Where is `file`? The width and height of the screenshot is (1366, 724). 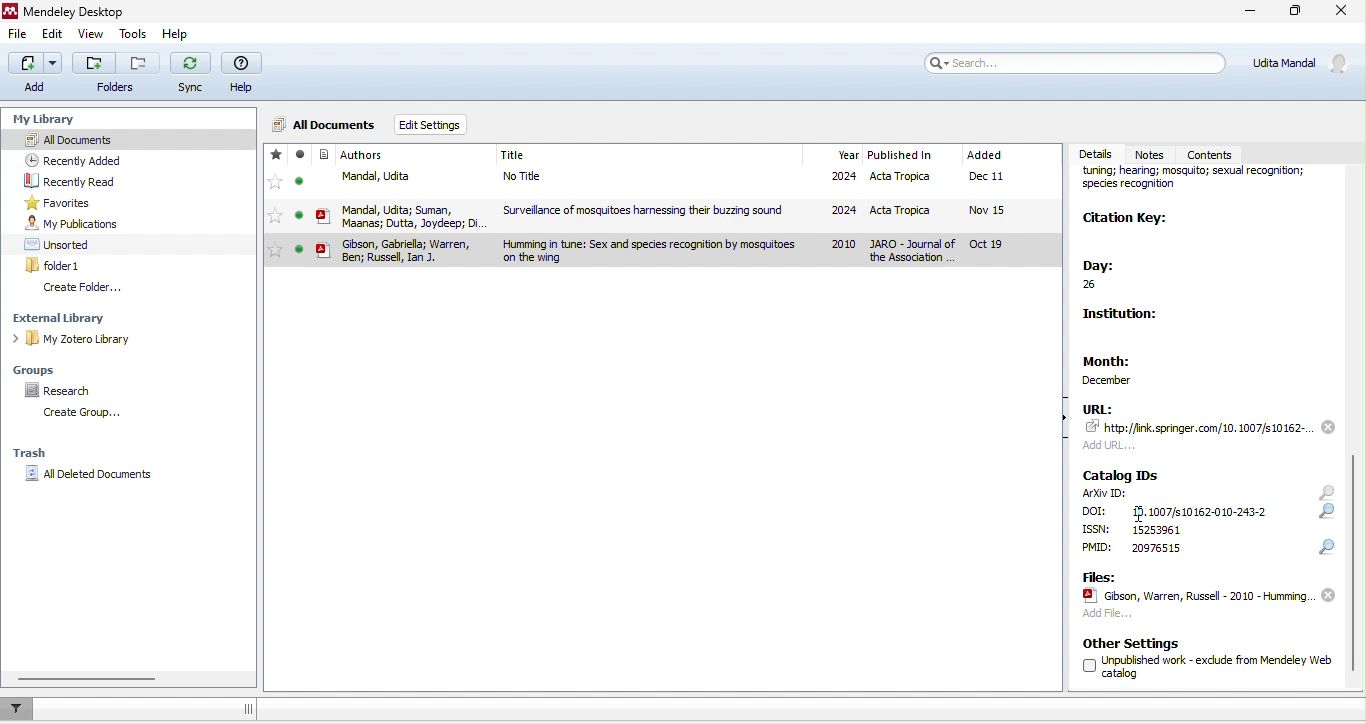 file is located at coordinates (18, 36).